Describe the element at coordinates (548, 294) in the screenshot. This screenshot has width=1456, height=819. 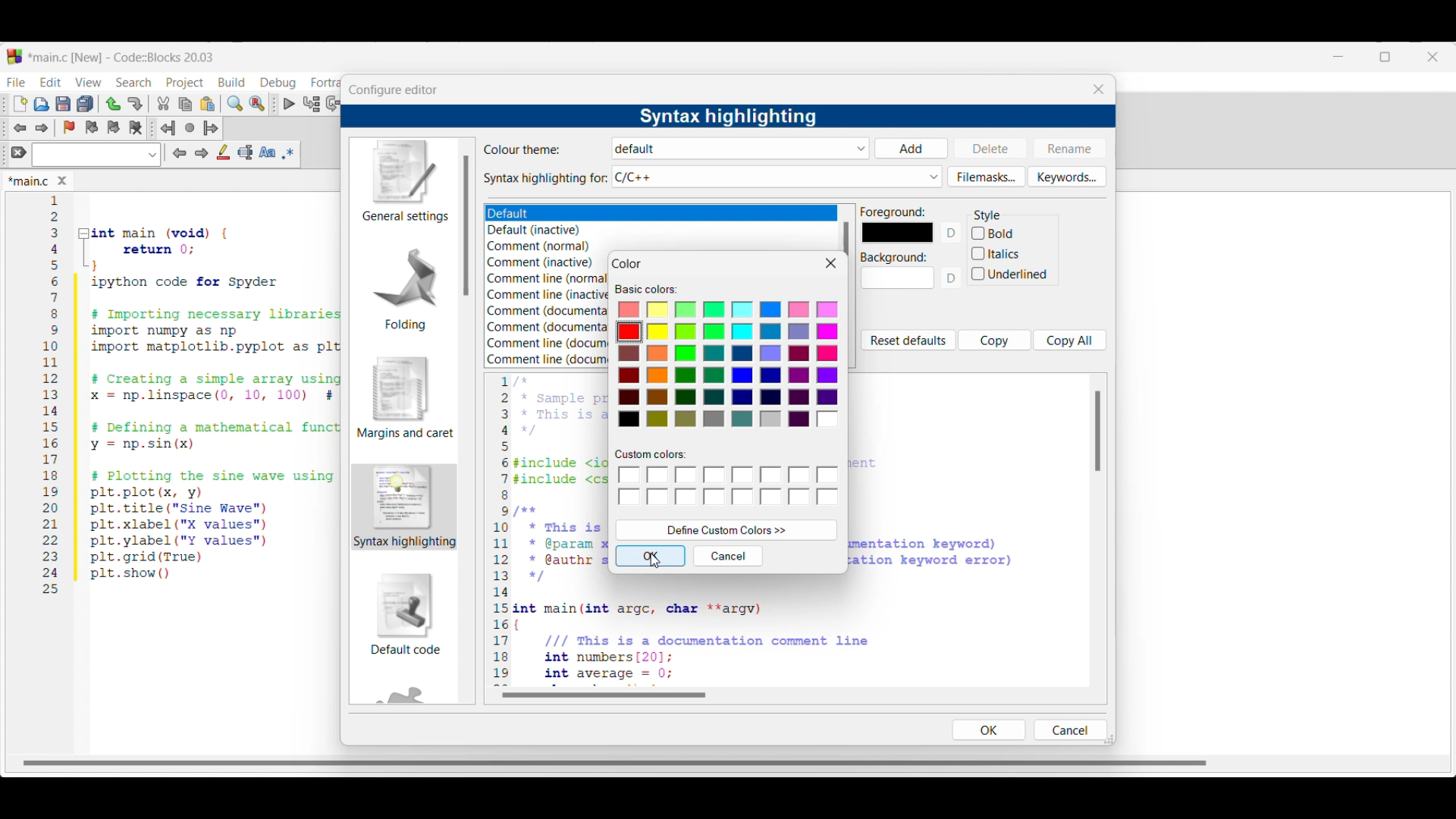
I see `Comment line (inactive` at that location.